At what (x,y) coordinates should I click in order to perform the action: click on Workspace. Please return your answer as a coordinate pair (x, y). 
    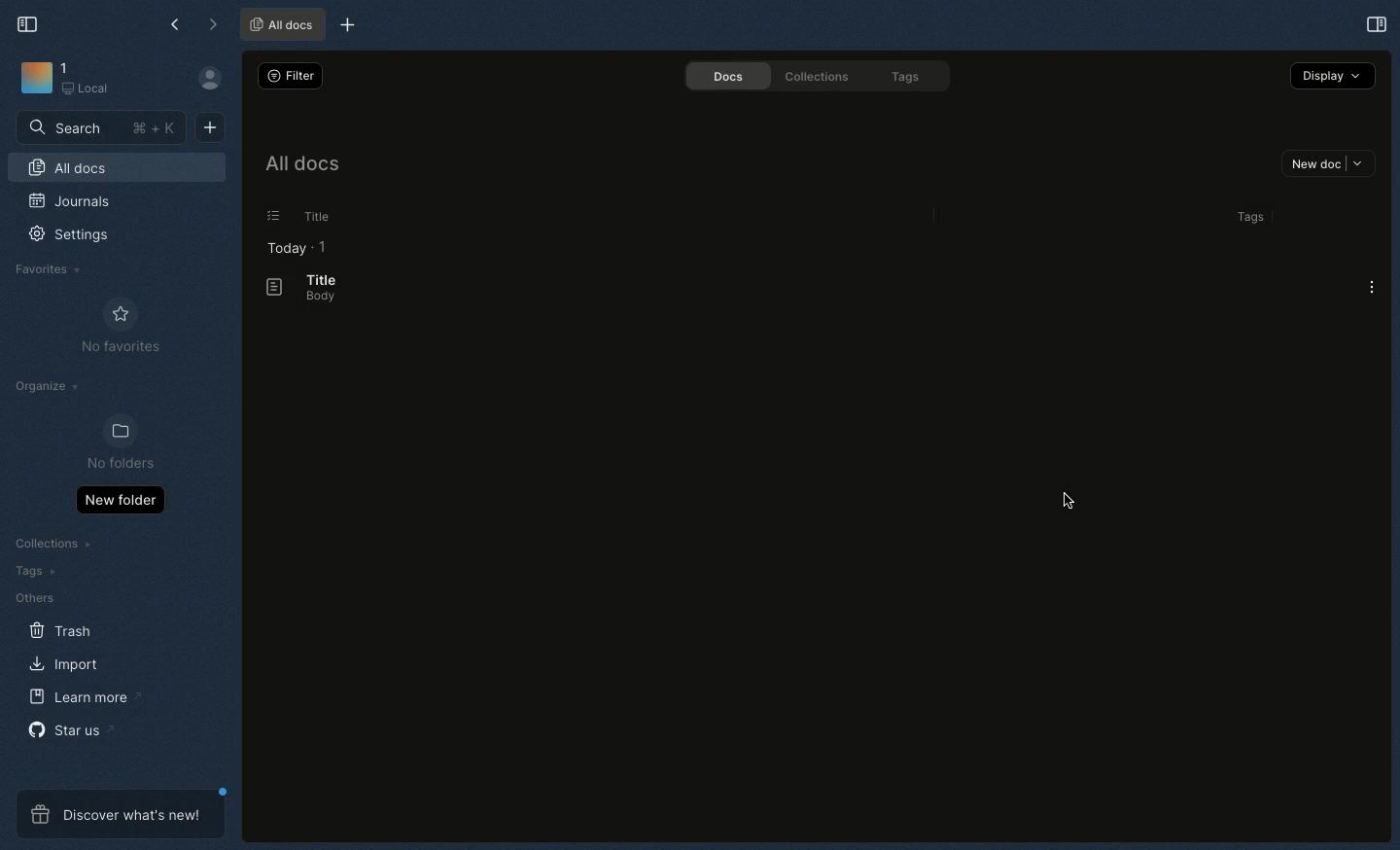
    Looking at the image, I should click on (94, 80).